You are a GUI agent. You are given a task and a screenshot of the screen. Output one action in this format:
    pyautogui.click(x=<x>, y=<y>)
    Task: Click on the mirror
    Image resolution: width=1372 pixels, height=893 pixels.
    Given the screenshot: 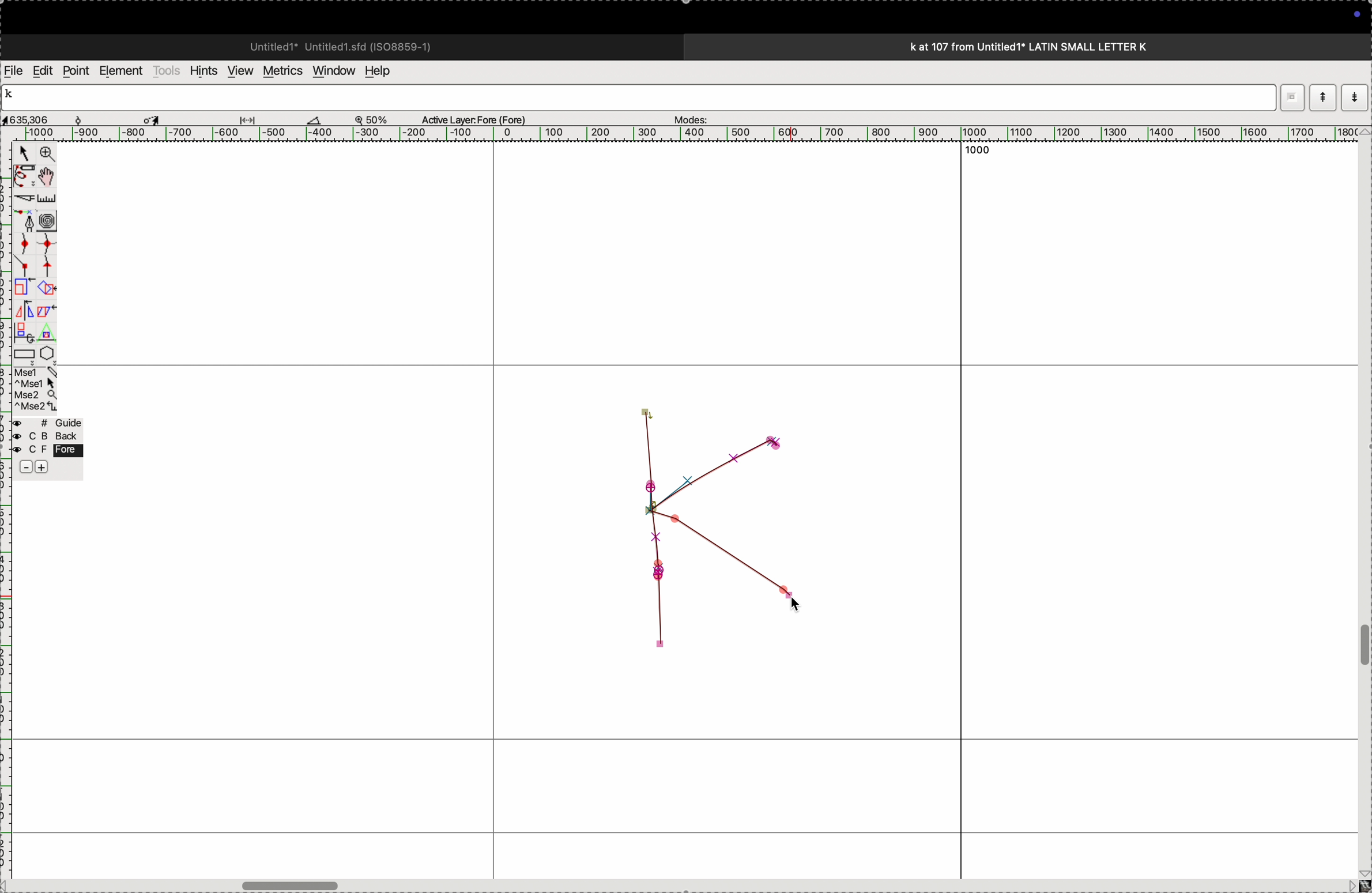 What is the action you would take?
    pyautogui.click(x=24, y=320)
    